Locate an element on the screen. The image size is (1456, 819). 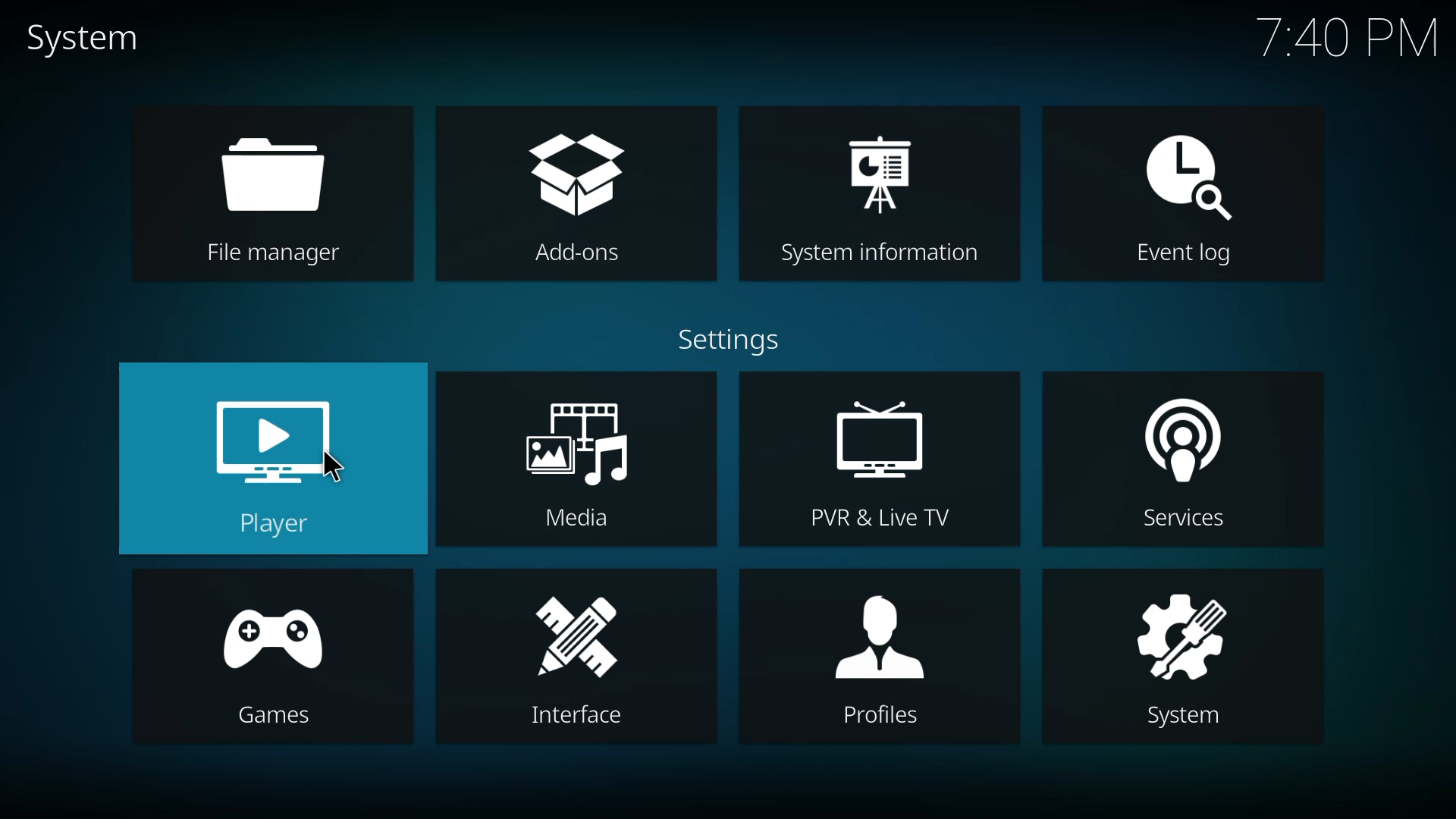
settings is located at coordinates (737, 341).